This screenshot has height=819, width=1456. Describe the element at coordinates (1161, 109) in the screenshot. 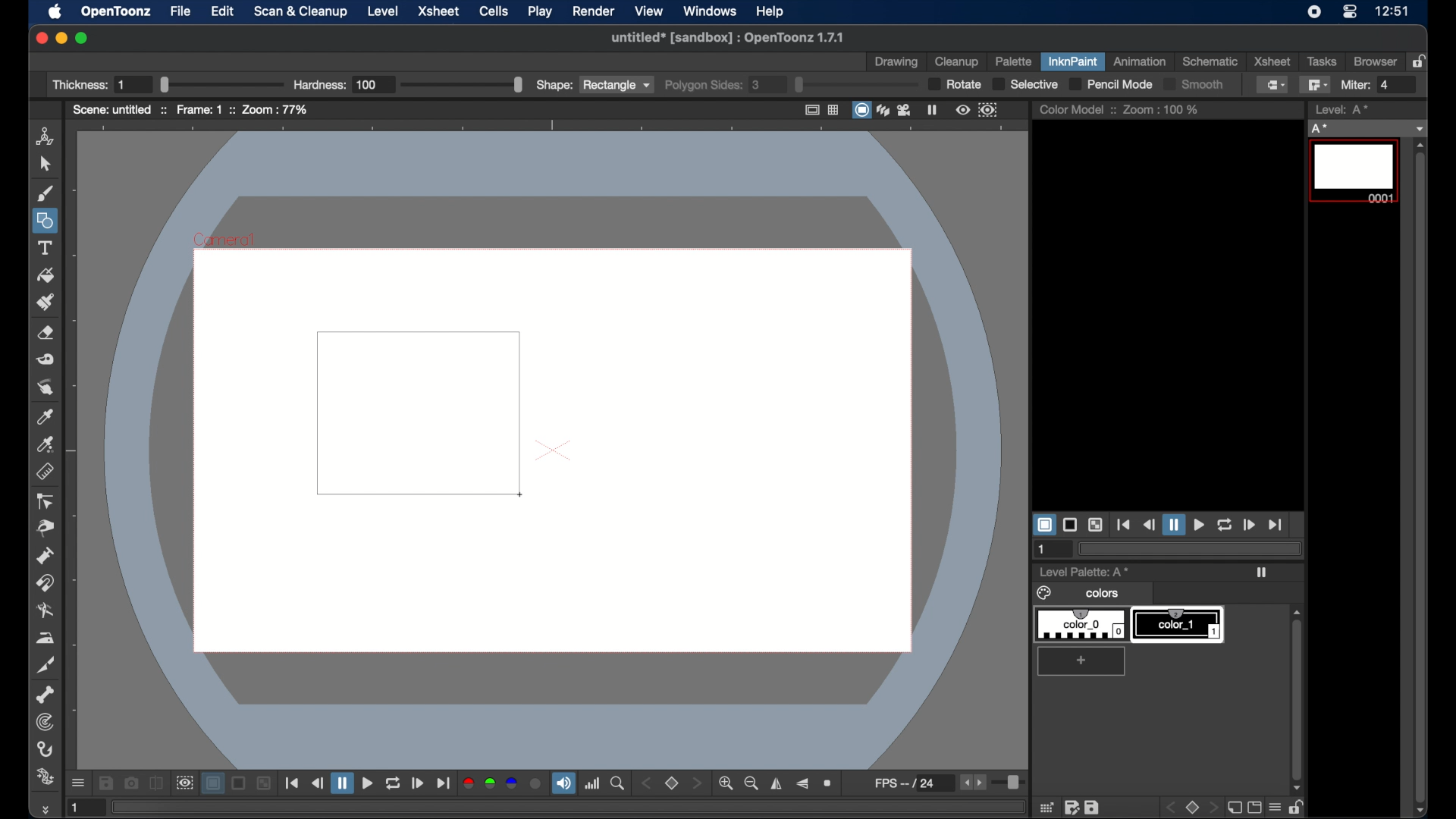

I see `zoom : 100%` at that location.